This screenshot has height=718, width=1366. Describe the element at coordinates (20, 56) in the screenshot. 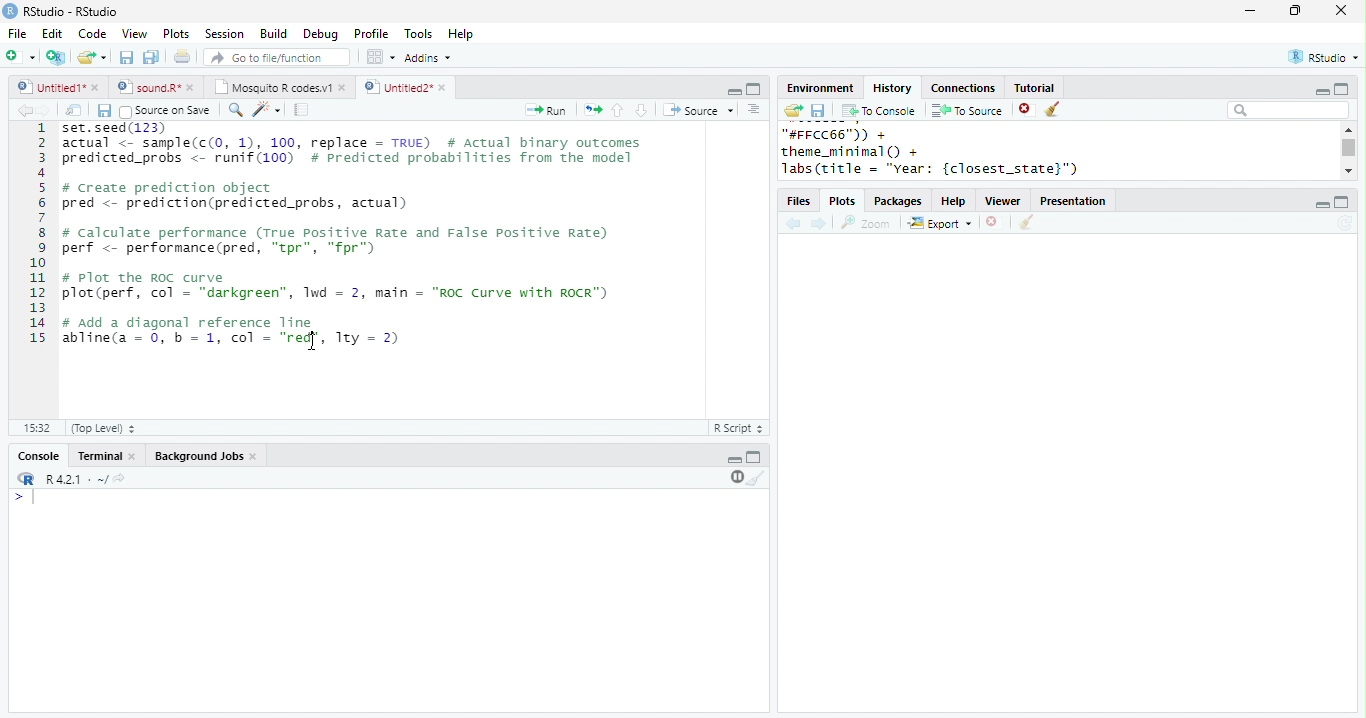

I see `new file` at that location.